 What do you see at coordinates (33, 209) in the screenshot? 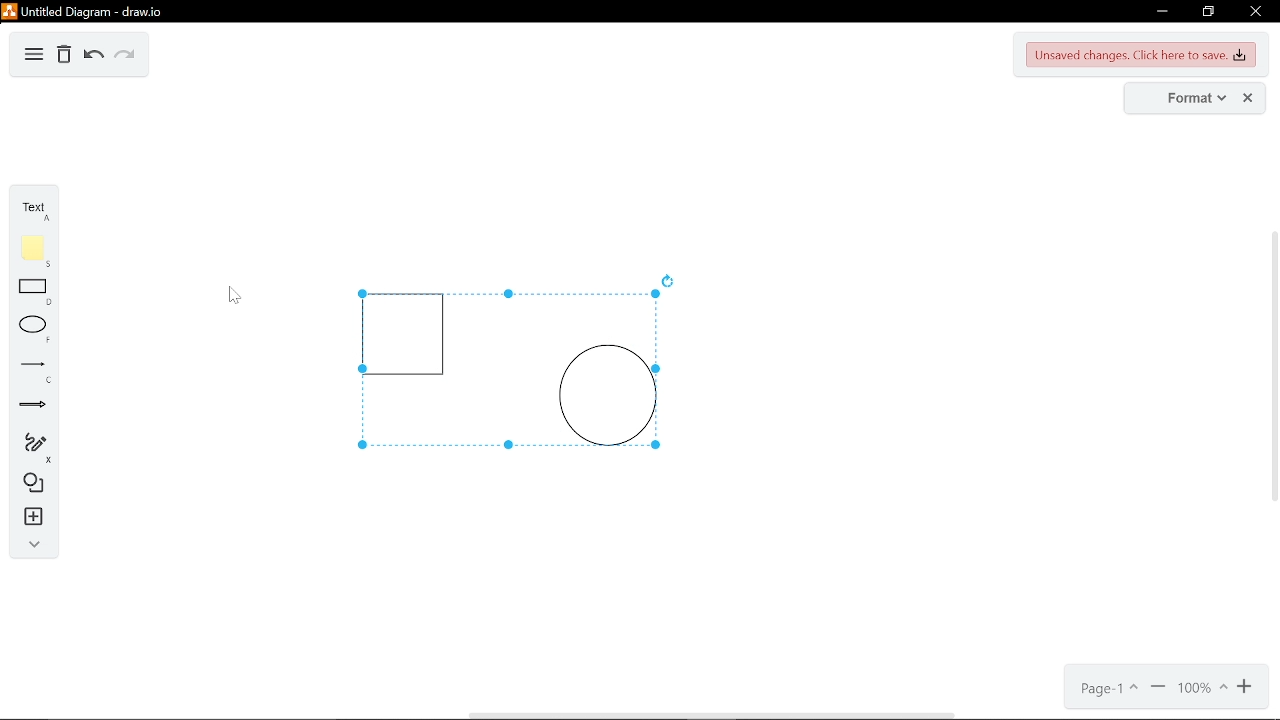
I see `text` at bounding box center [33, 209].